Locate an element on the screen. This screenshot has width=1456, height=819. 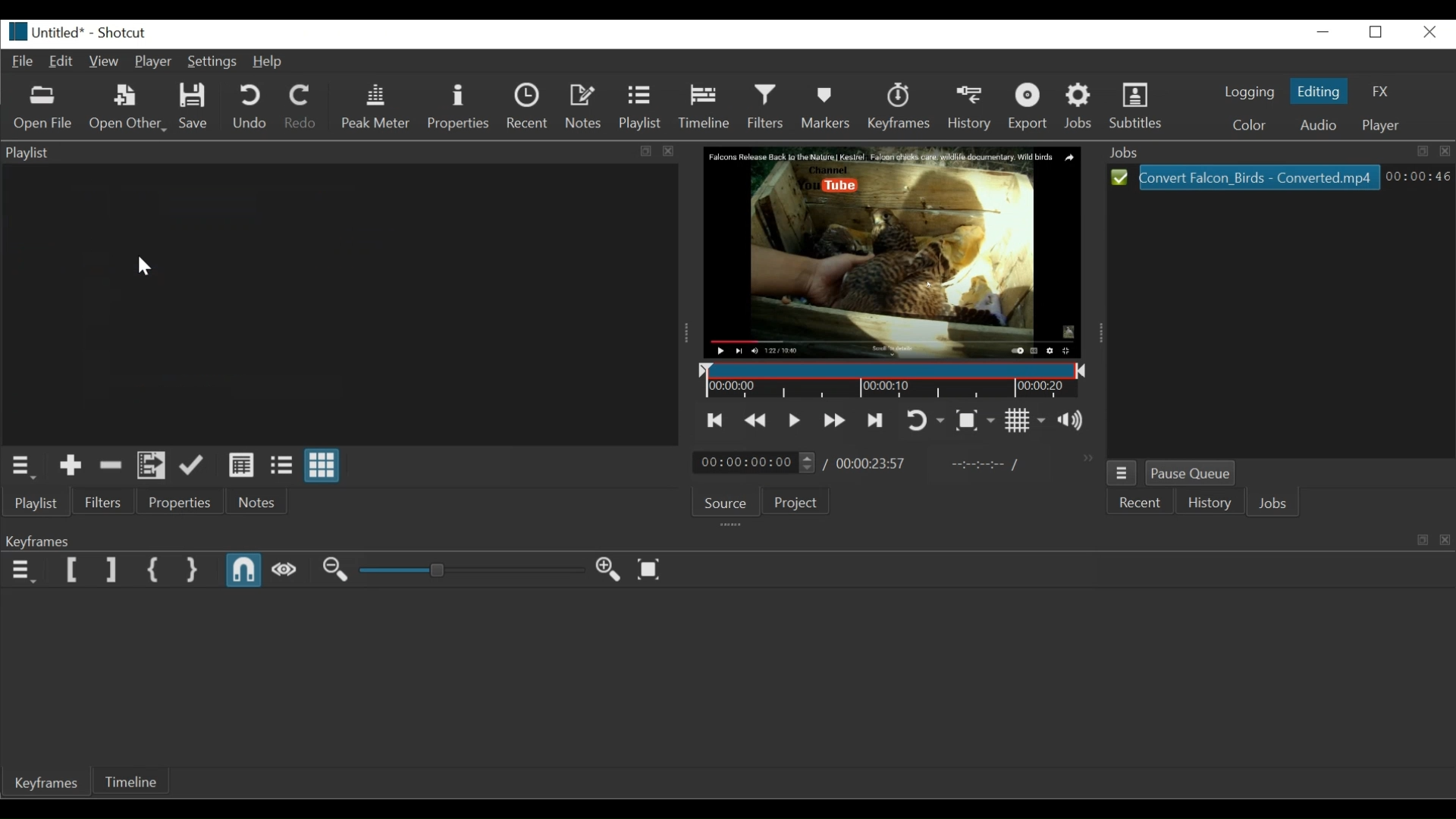
Help is located at coordinates (269, 62).